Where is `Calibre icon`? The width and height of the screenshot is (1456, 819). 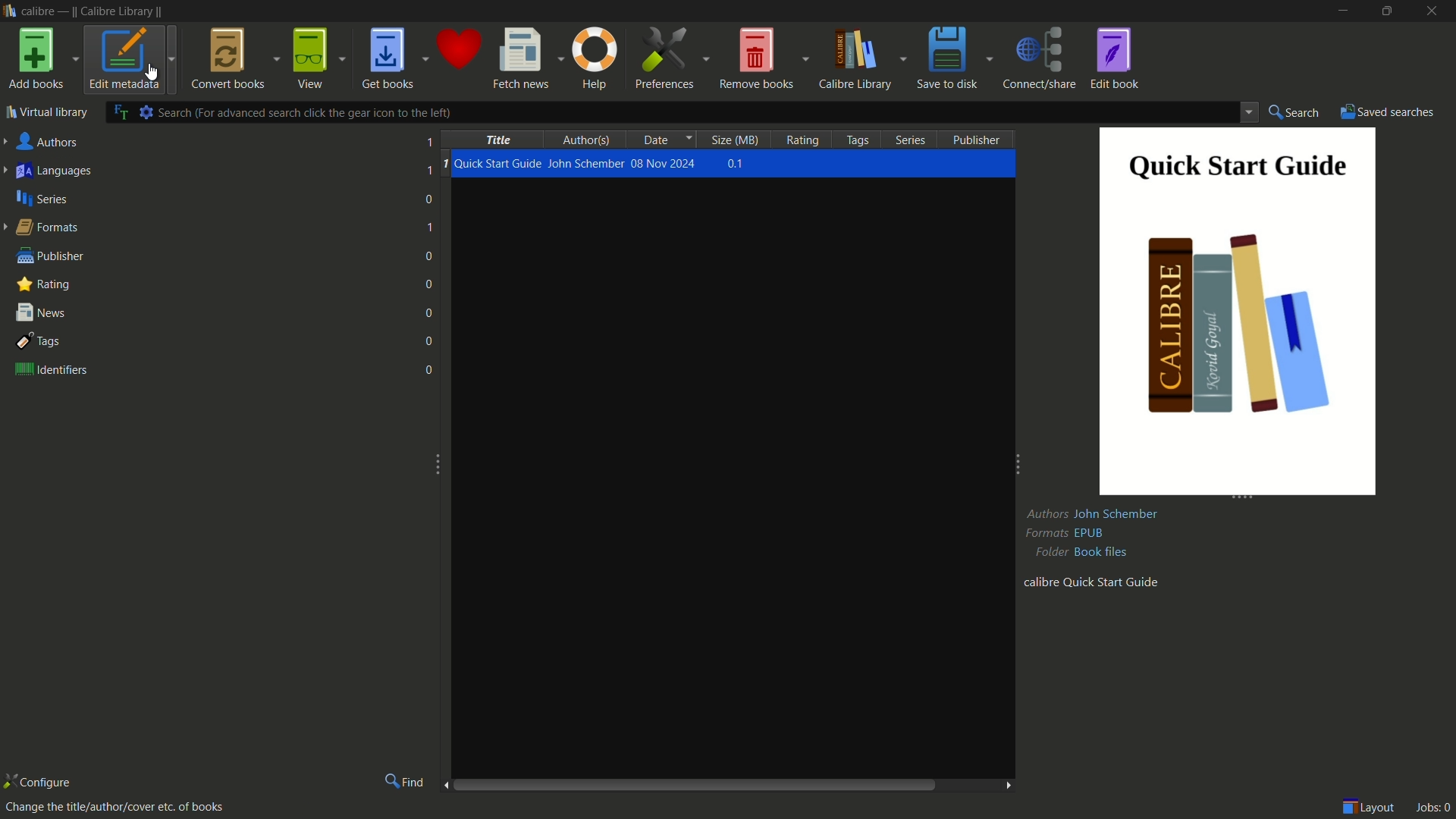
Calibre icon is located at coordinates (9, 11).